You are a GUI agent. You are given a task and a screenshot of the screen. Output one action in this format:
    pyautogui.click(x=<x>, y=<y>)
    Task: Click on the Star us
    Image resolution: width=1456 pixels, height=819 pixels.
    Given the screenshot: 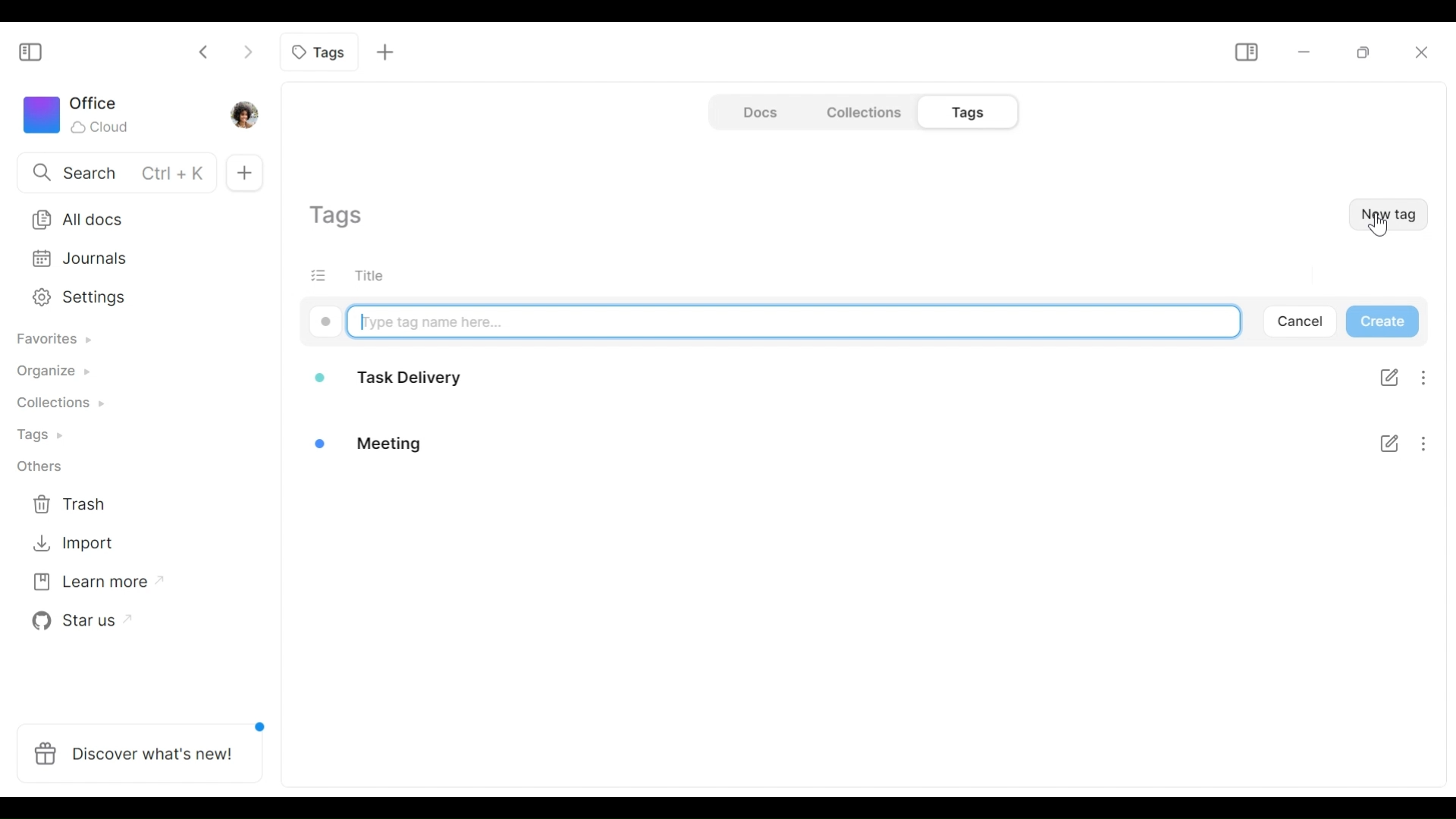 What is the action you would take?
    pyautogui.click(x=80, y=622)
    